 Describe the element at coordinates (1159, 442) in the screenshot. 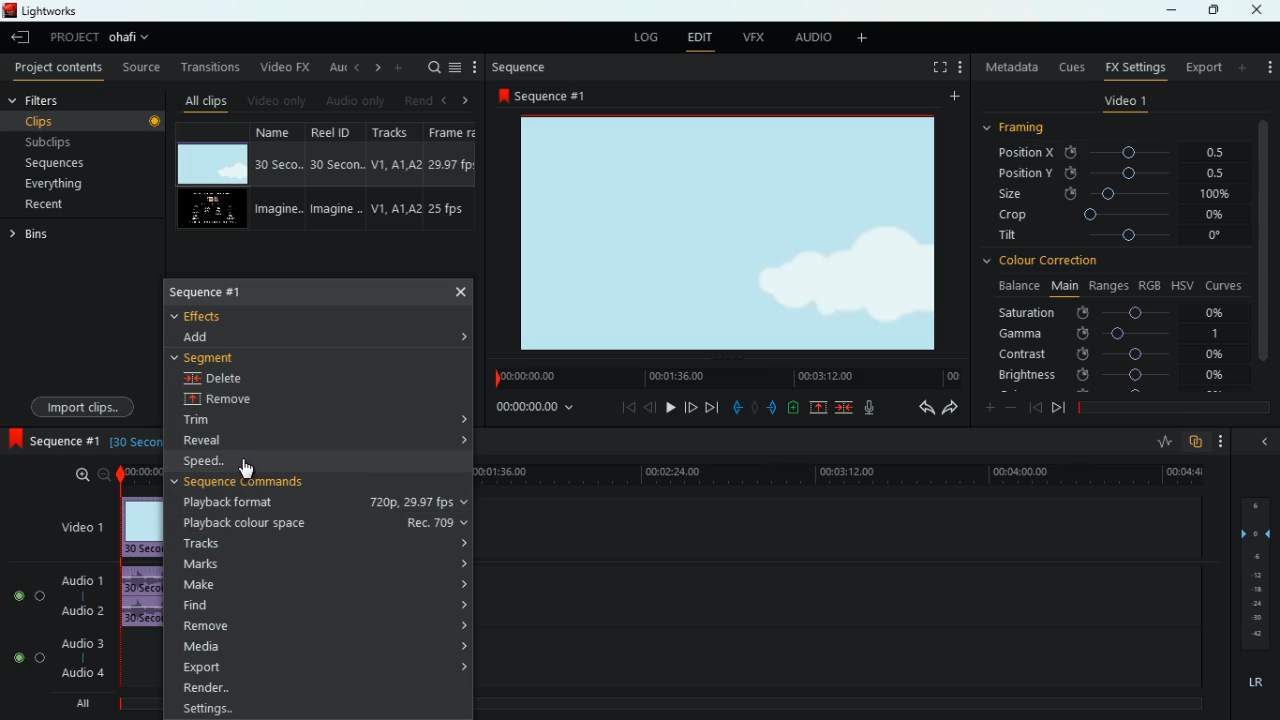

I see `rate` at that location.